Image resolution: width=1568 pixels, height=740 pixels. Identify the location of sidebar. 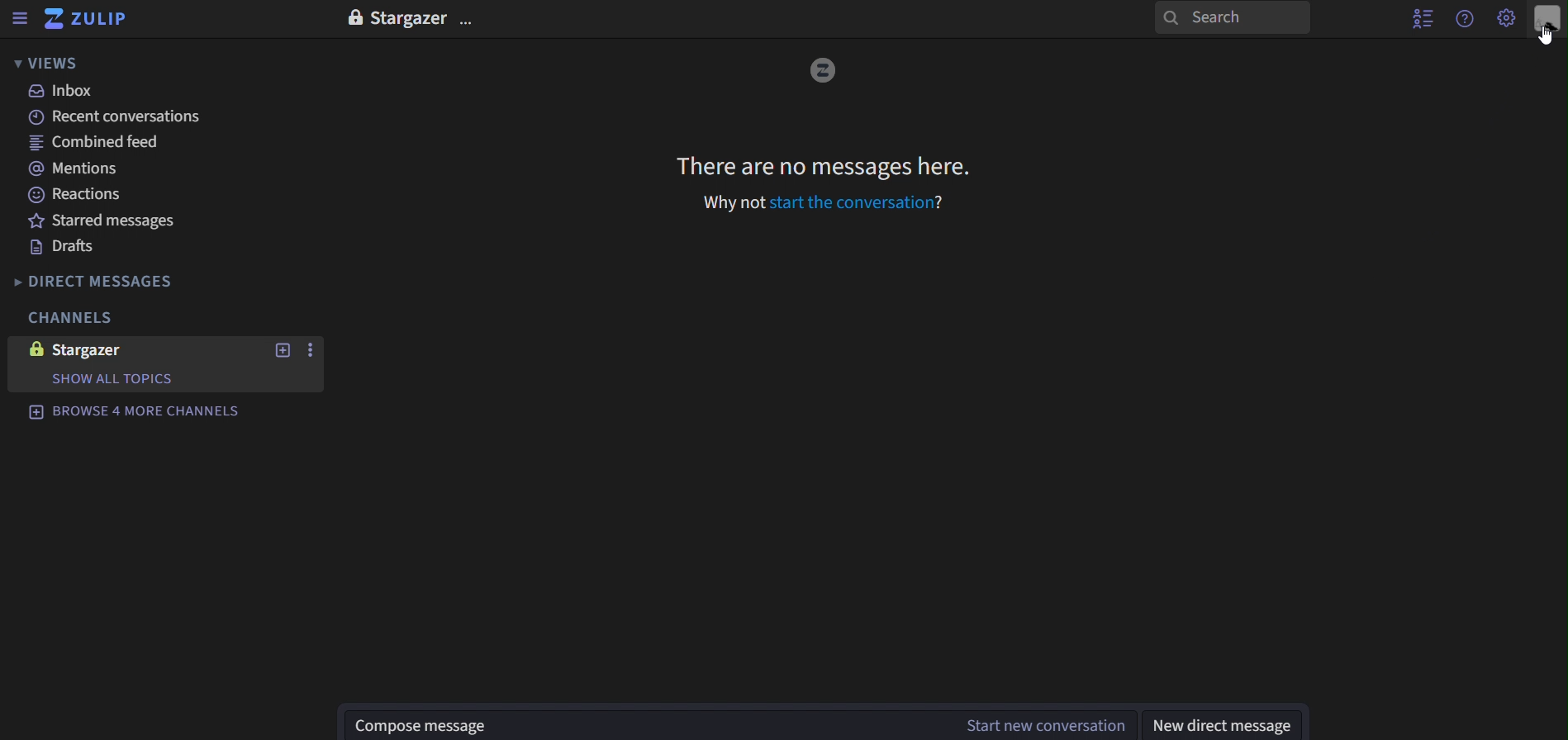
(22, 17).